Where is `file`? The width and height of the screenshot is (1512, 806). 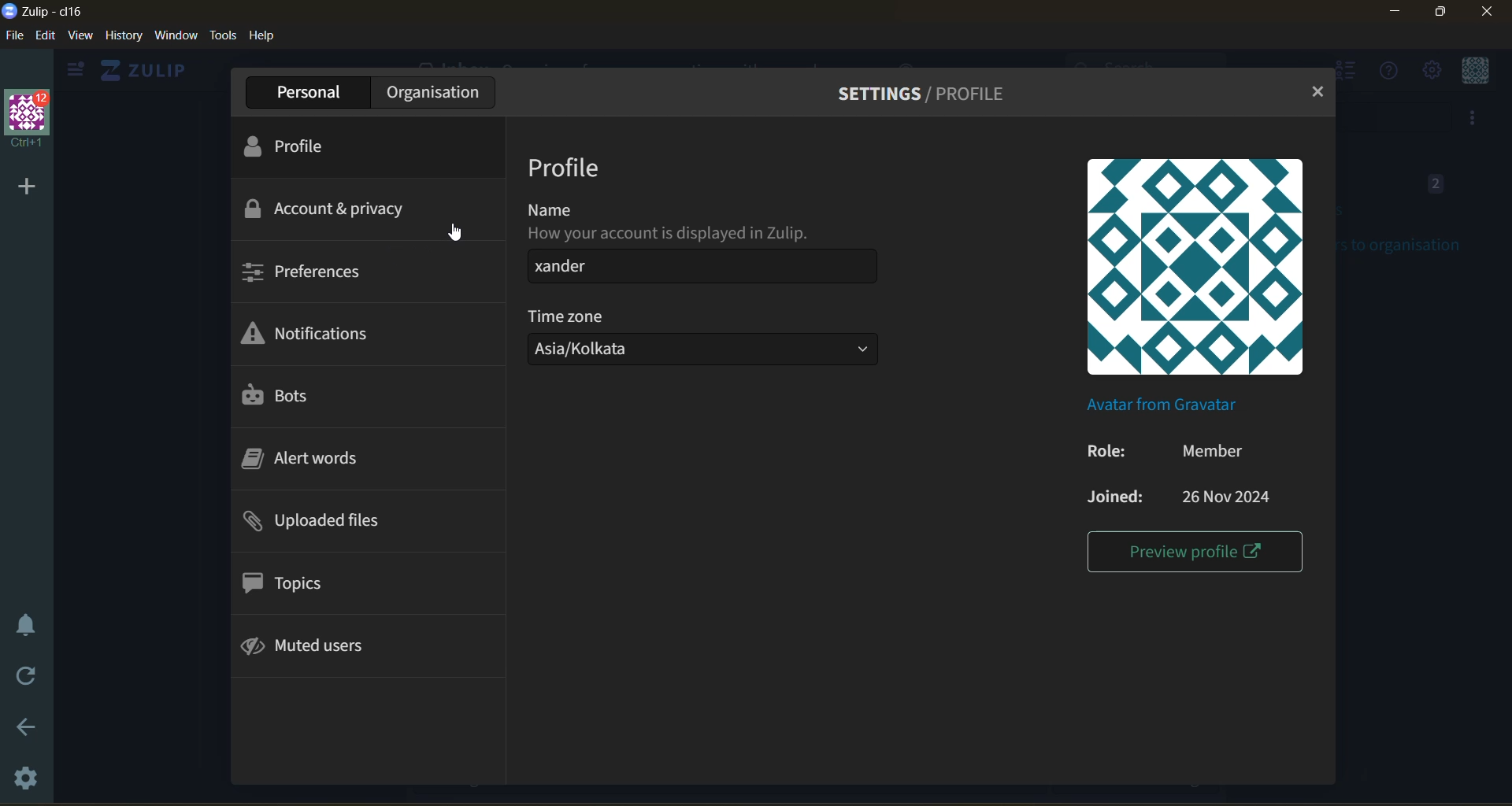
file is located at coordinates (13, 38).